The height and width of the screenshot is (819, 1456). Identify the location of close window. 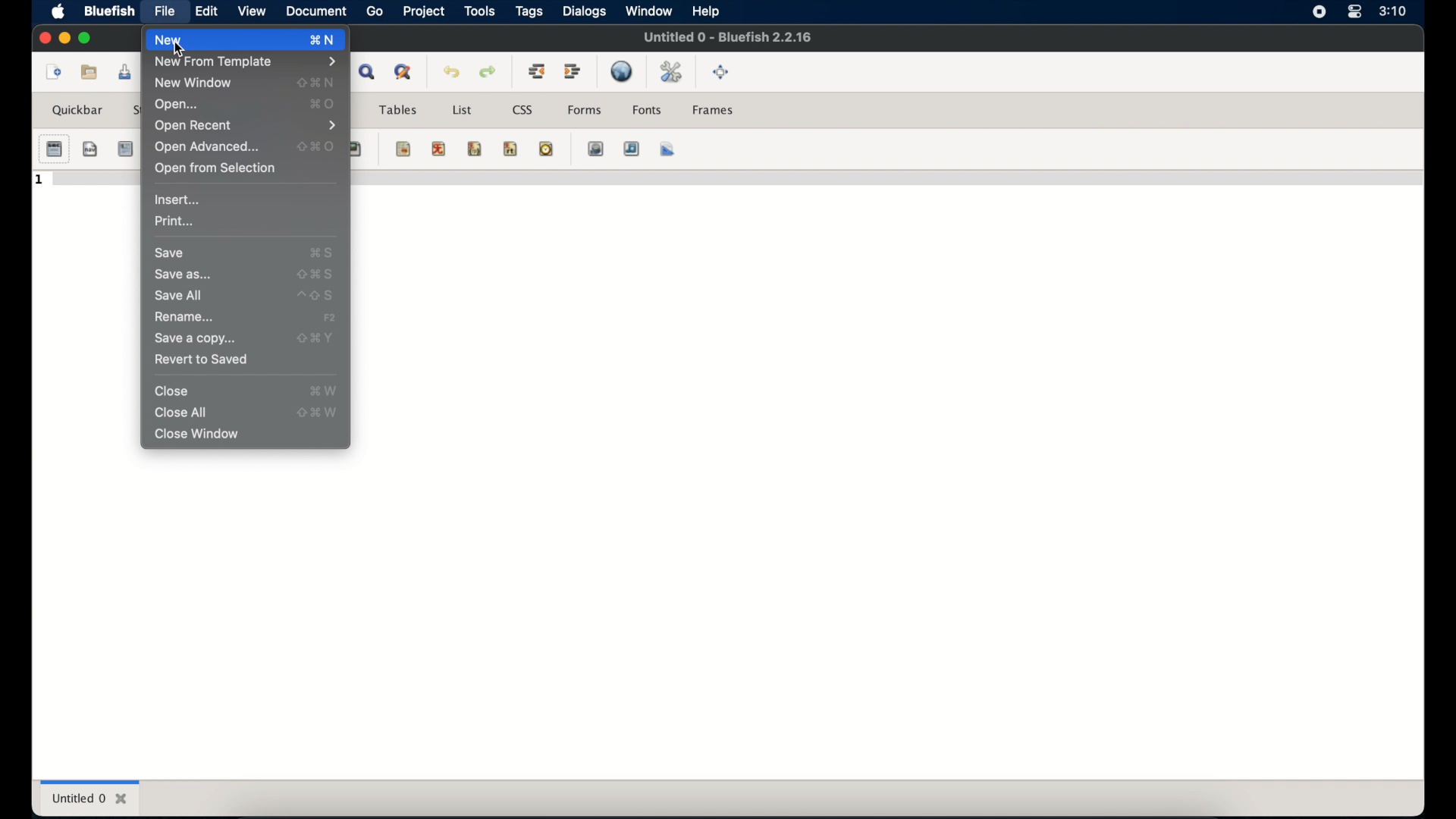
(196, 435).